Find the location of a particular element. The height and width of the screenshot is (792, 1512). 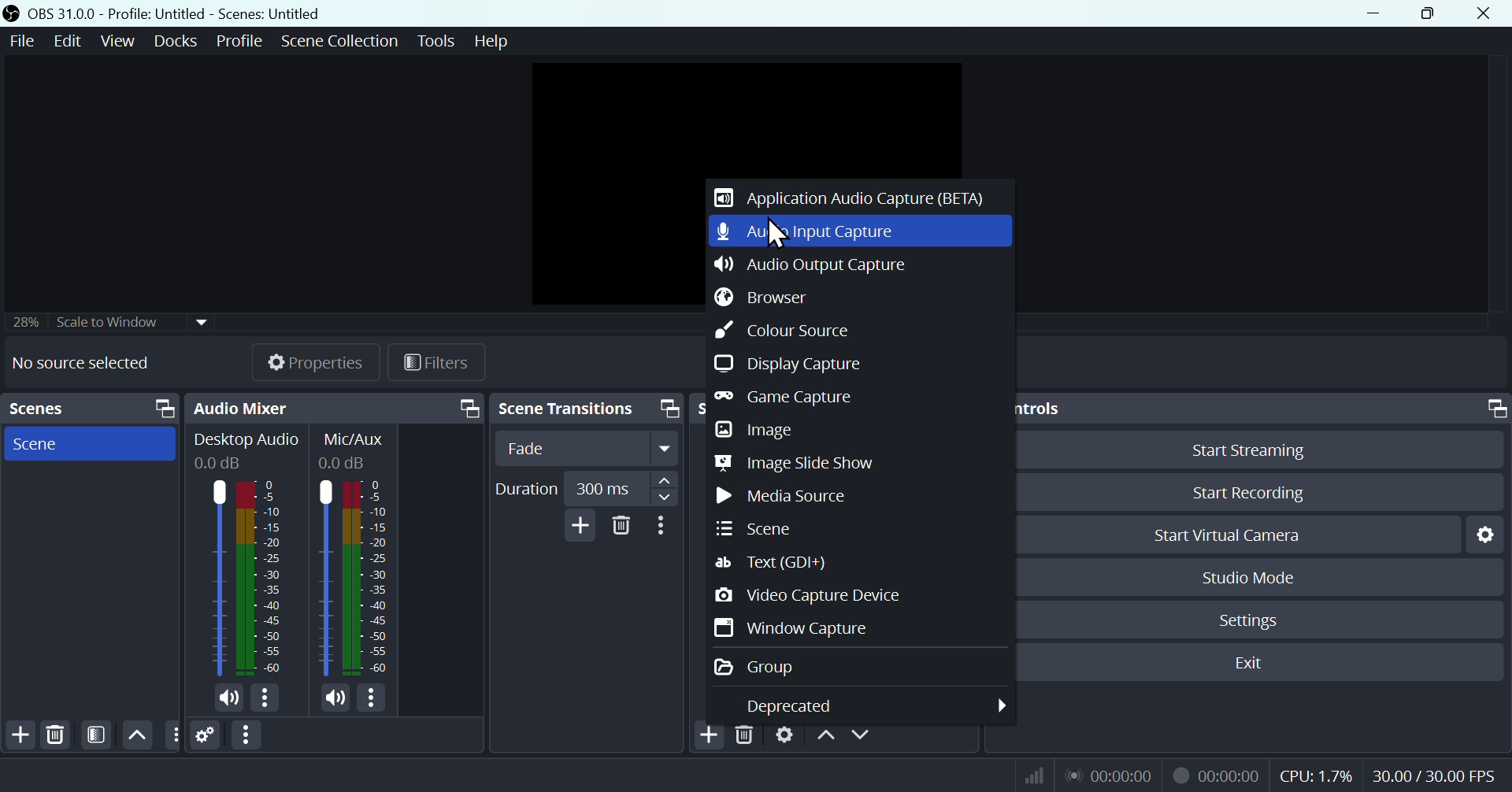

Live Status is located at coordinates (1108, 774).